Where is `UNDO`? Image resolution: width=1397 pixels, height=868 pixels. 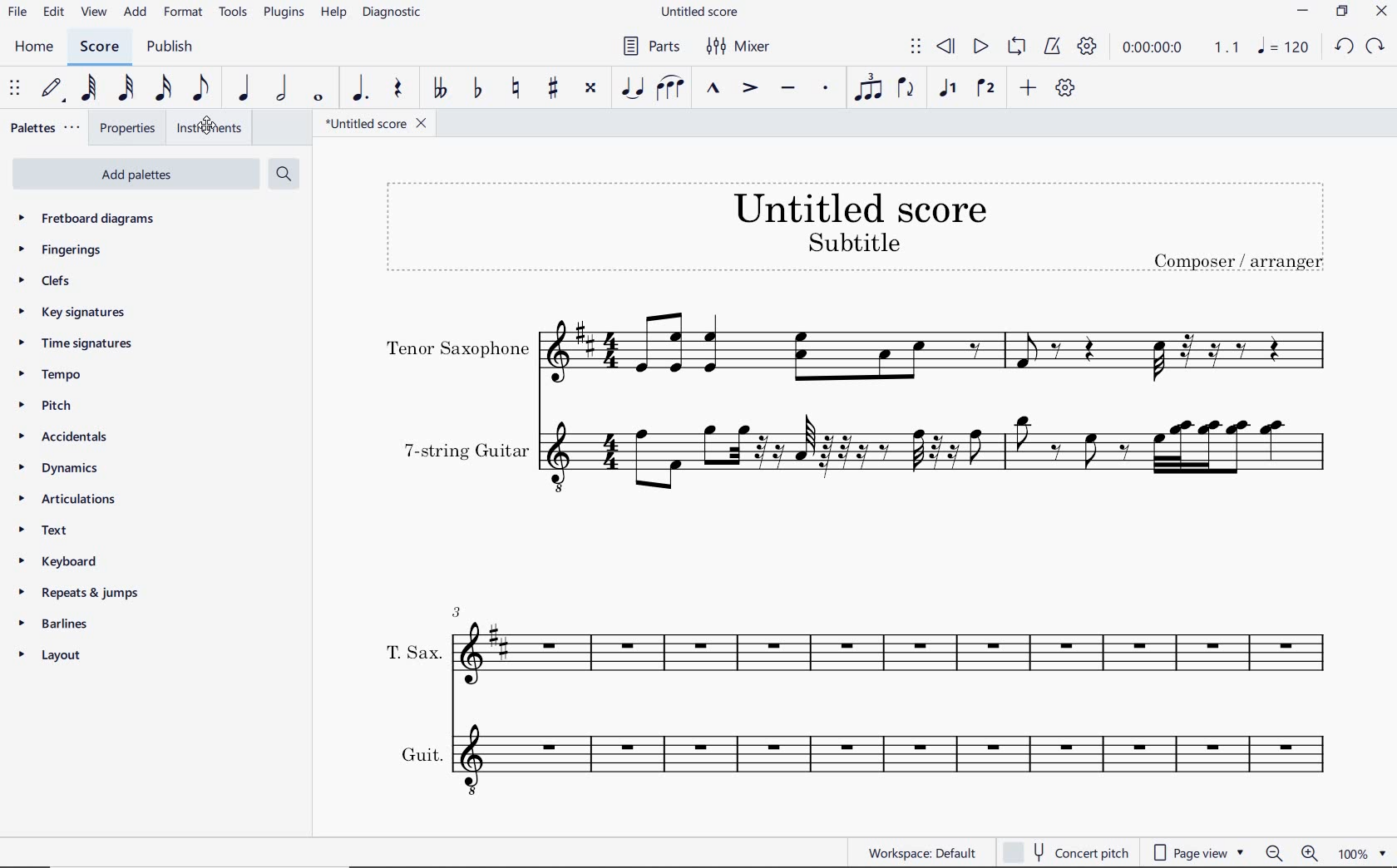
UNDO is located at coordinates (1344, 47).